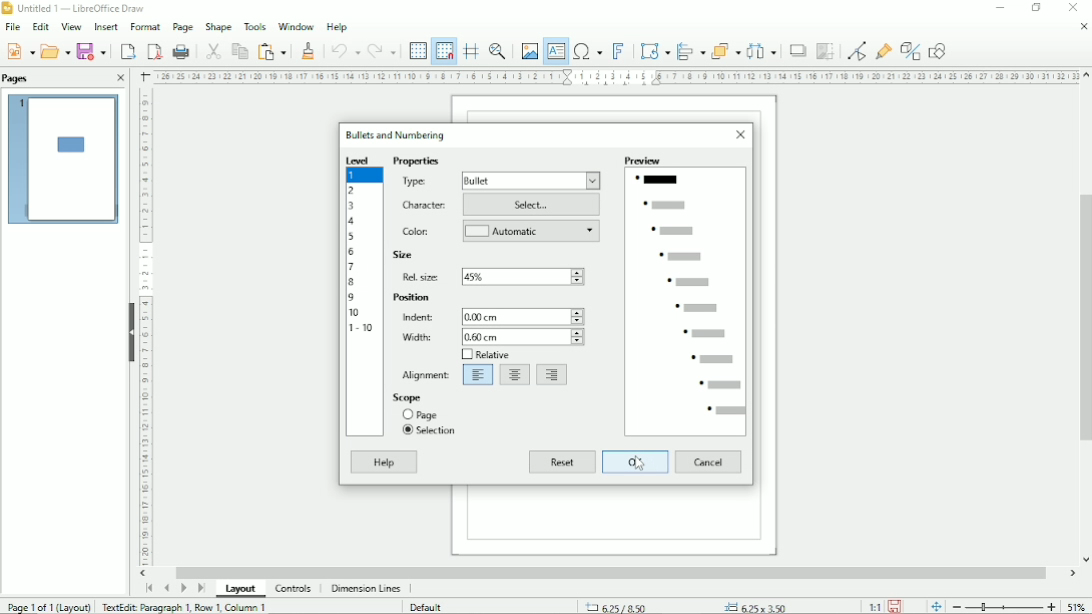  Describe the element at coordinates (478, 375) in the screenshot. I see `Left alignment` at that location.